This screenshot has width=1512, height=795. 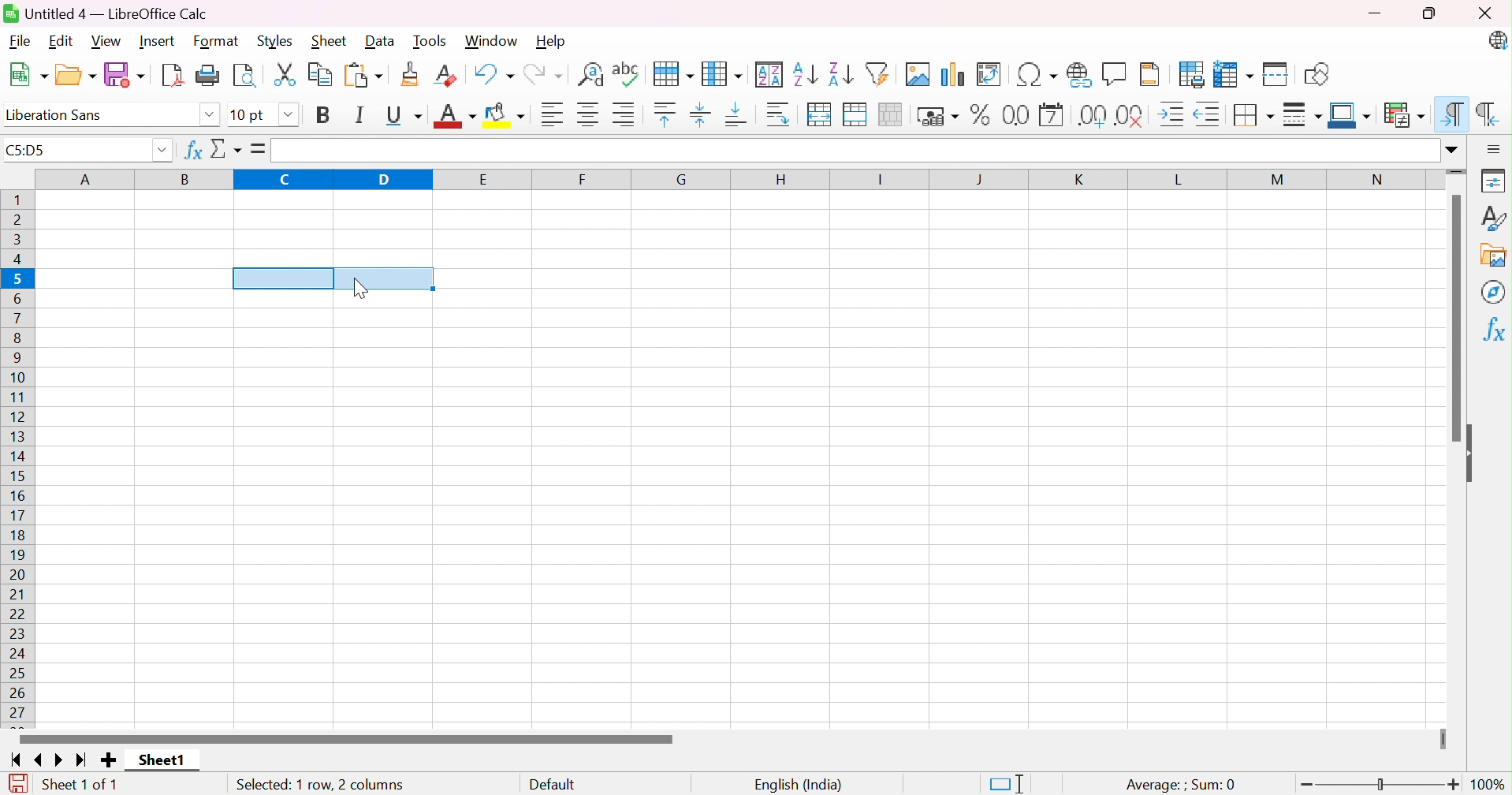 What do you see at coordinates (1492, 255) in the screenshot?
I see `Gallery` at bounding box center [1492, 255].